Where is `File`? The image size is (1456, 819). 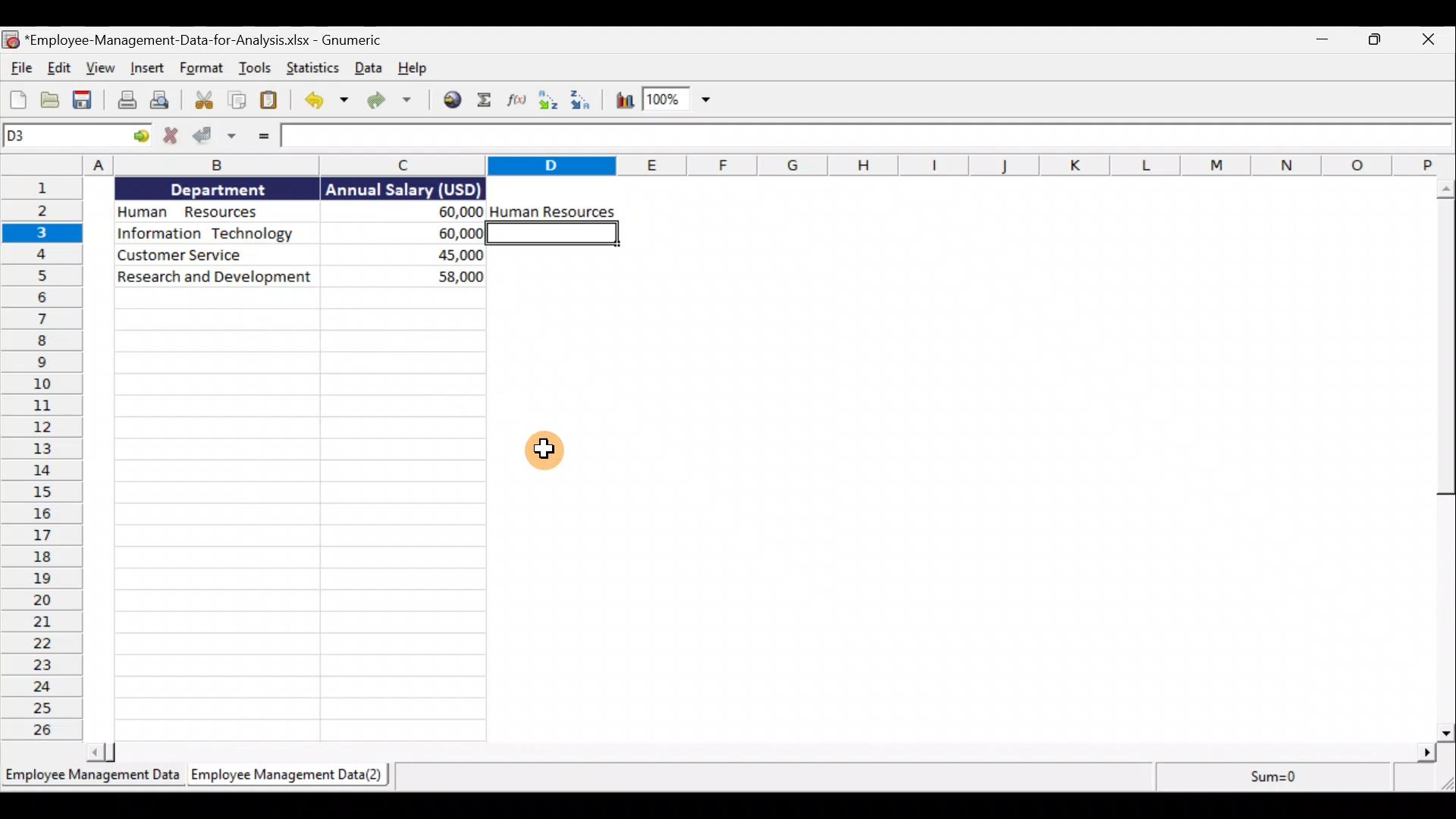 File is located at coordinates (18, 68).